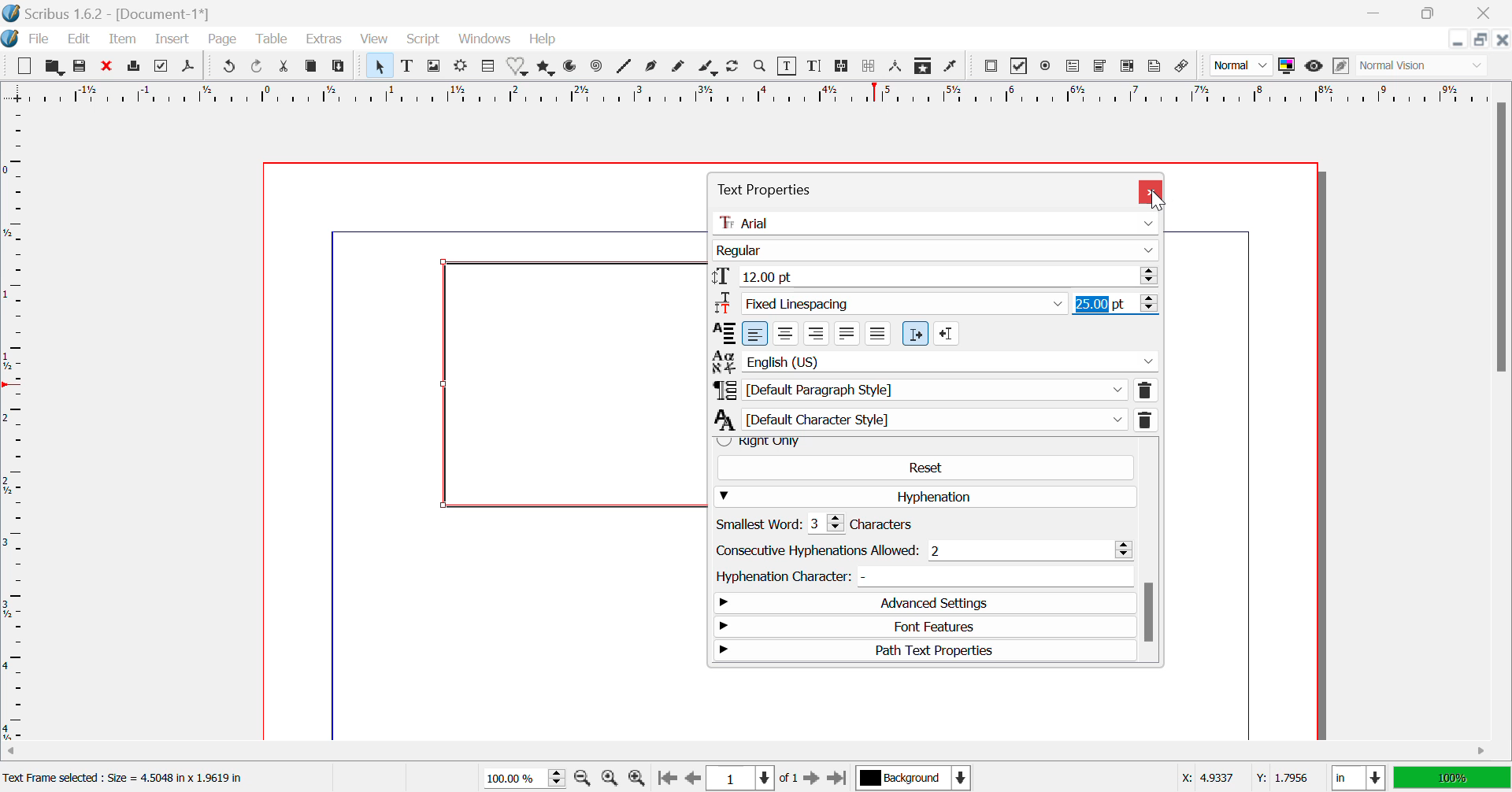 The height and width of the screenshot is (792, 1512). I want to click on Vertical Page Margins, so click(752, 94).